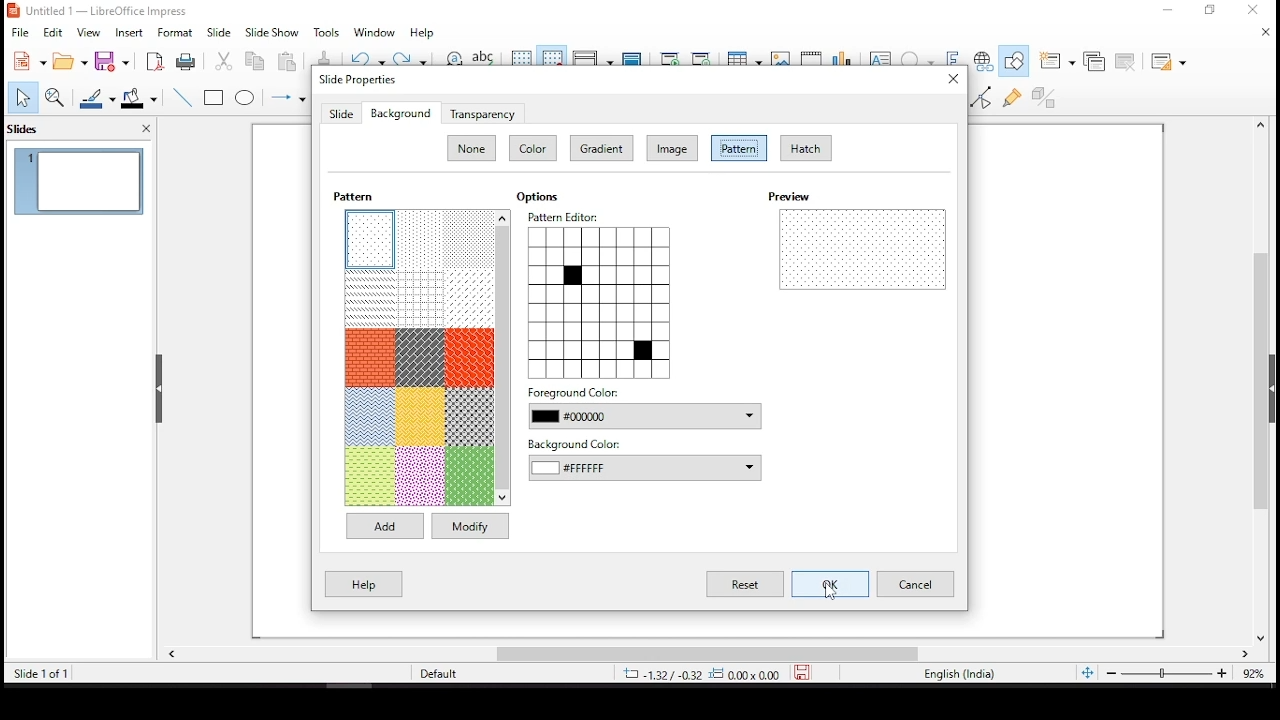 The height and width of the screenshot is (720, 1280). What do you see at coordinates (370, 358) in the screenshot?
I see `pattern` at bounding box center [370, 358].